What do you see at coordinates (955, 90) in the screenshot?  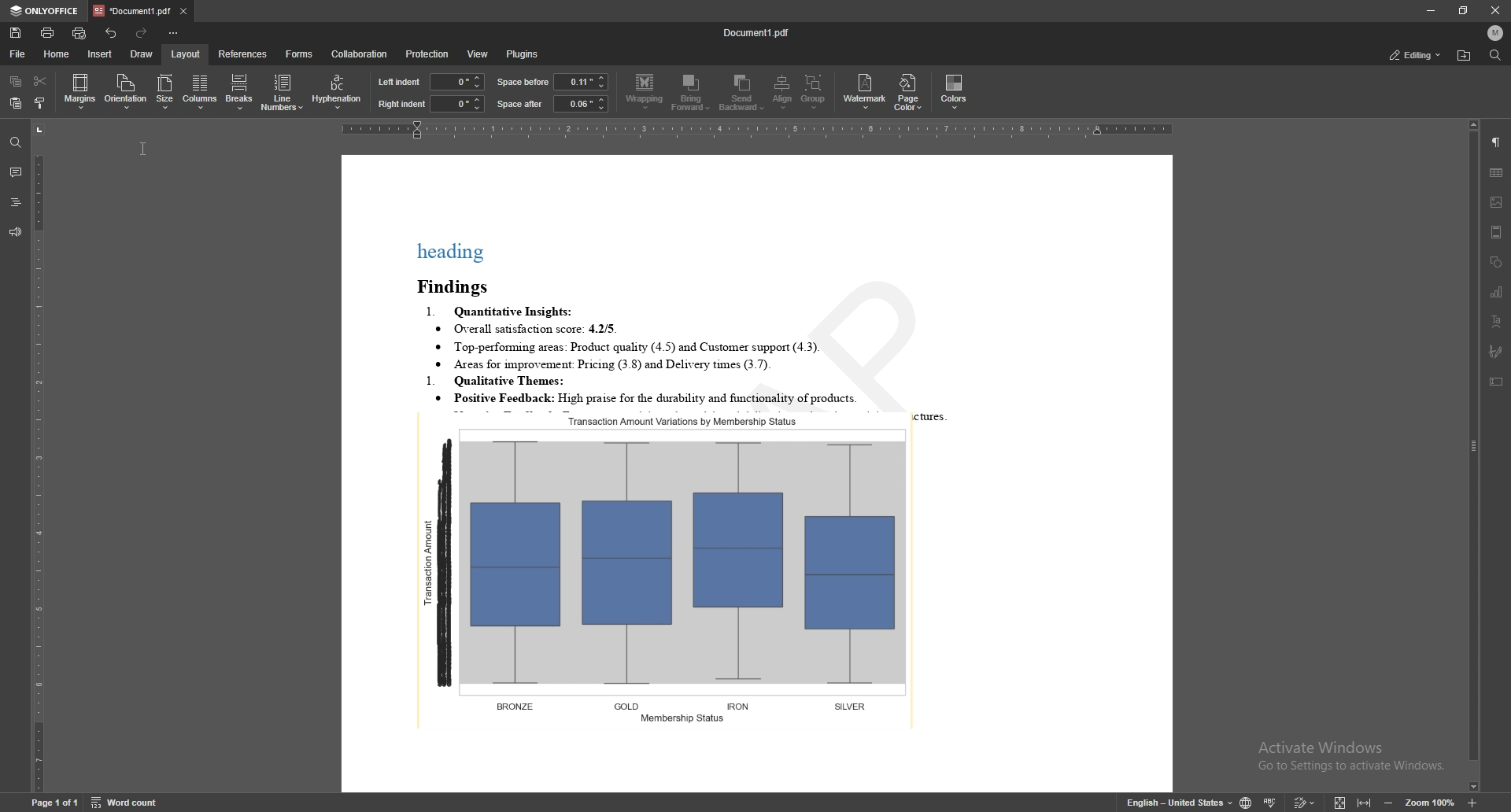 I see `colors` at bounding box center [955, 90].